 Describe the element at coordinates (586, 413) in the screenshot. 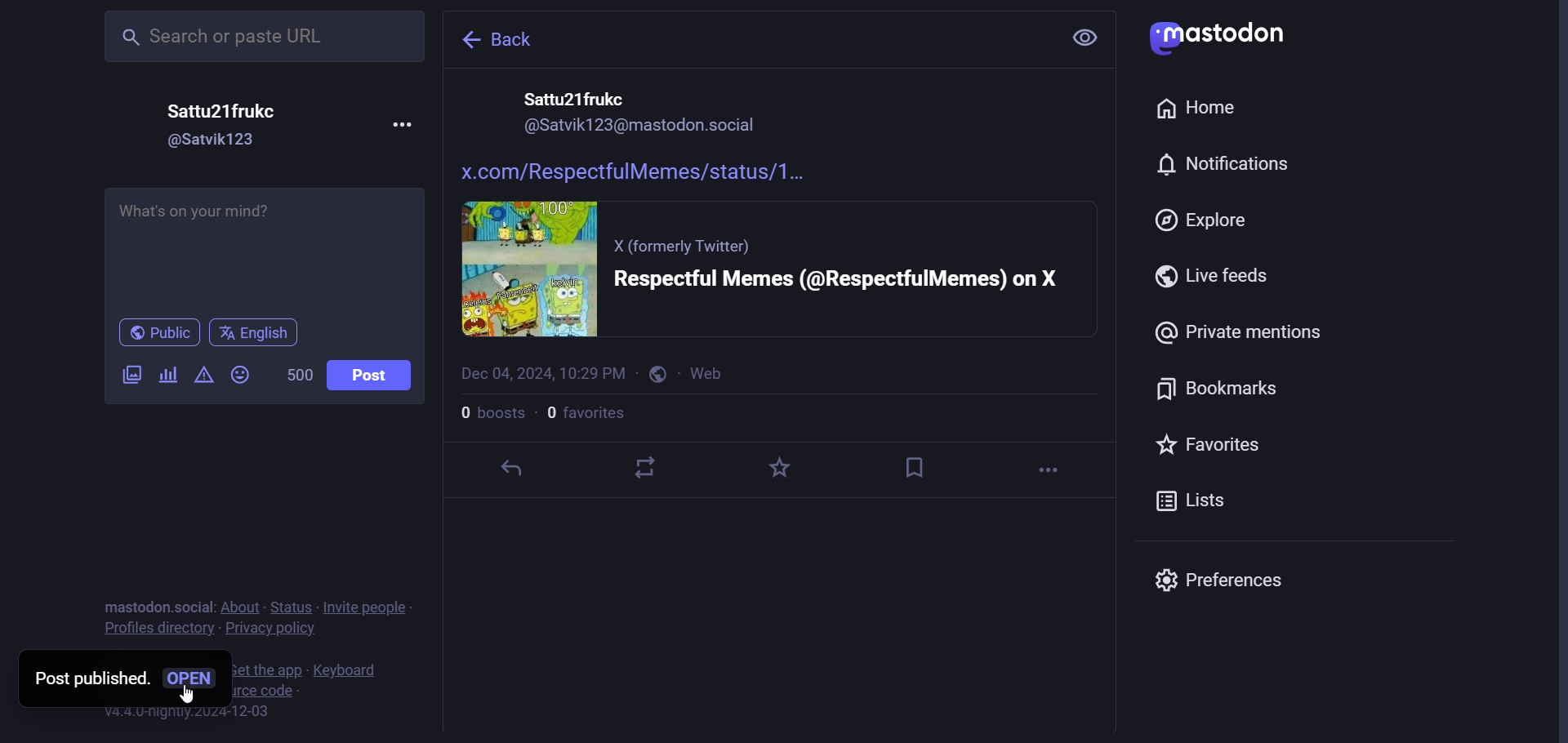

I see `favorites` at that location.